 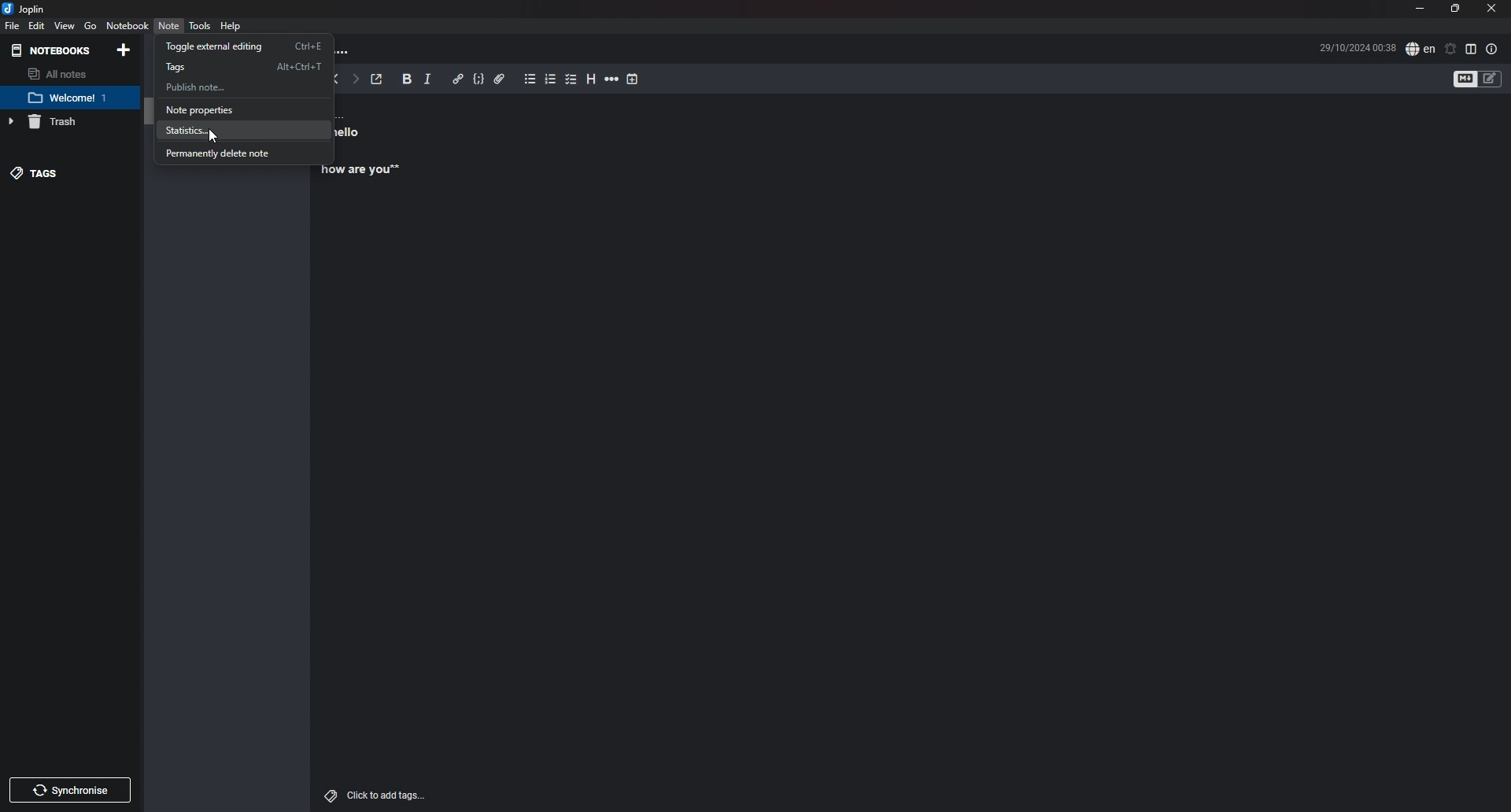 What do you see at coordinates (332, 79) in the screenshot?
I see `back` at bounding box center [332, 79].